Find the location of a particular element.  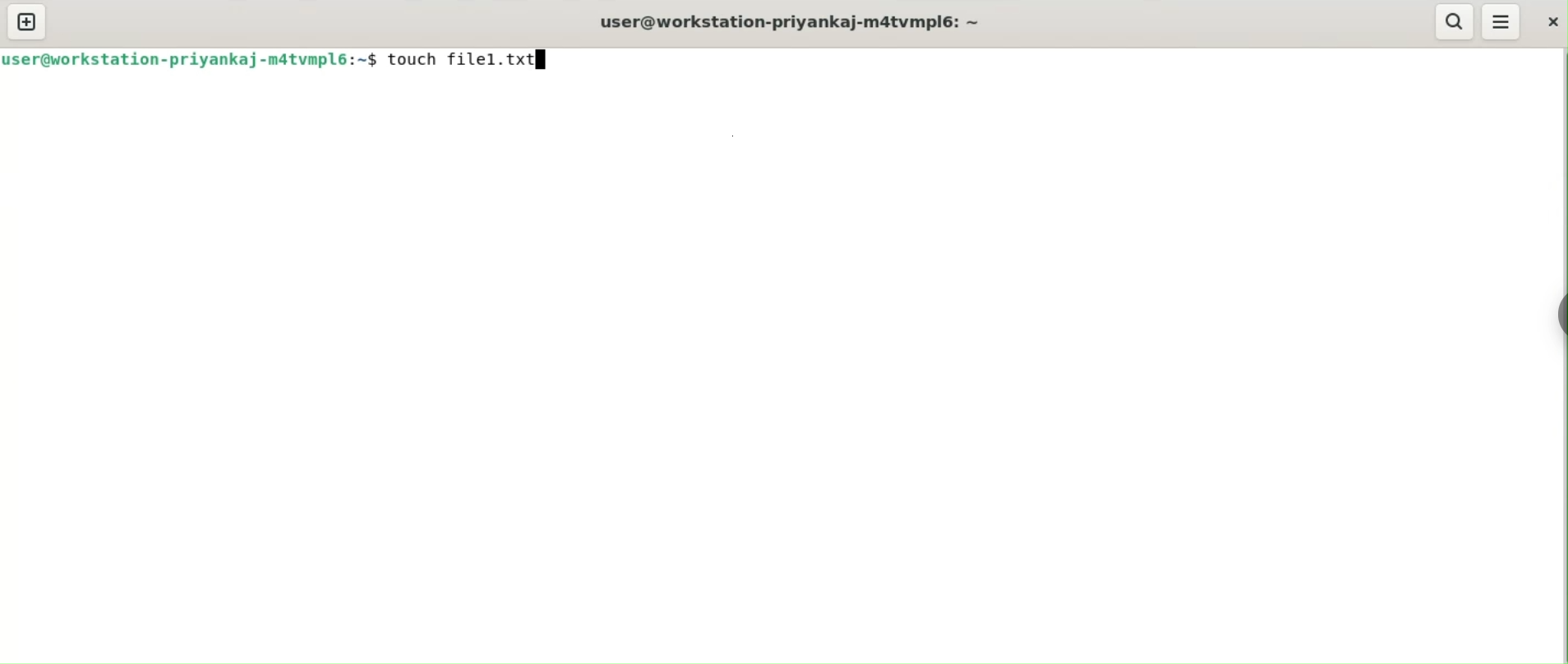

touch file1.txt is located at coordinates (468, 62).